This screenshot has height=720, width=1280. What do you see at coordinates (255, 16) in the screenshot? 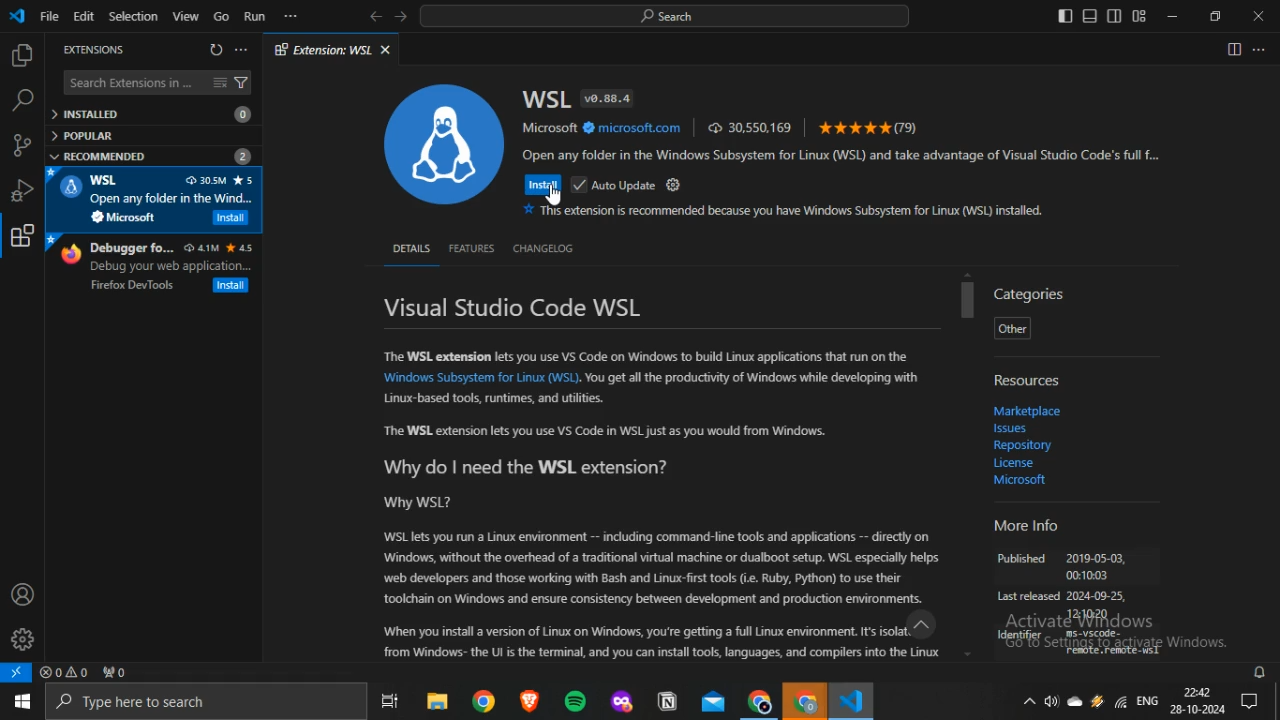
I see `Run` at bounding box center [255, 16].